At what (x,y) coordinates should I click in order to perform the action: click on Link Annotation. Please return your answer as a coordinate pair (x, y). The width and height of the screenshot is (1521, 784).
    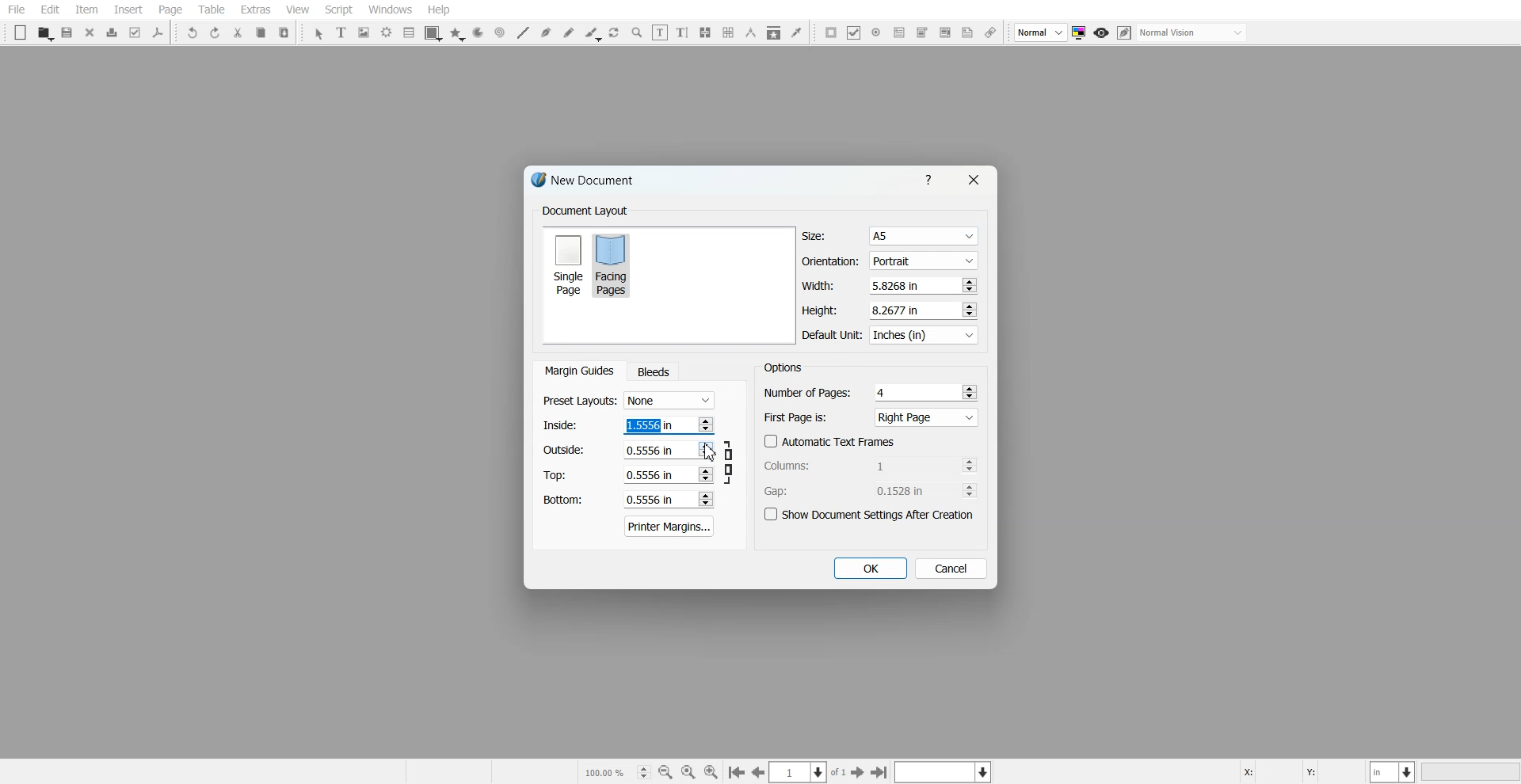
    Looking at the image, I should click on (990, 33).